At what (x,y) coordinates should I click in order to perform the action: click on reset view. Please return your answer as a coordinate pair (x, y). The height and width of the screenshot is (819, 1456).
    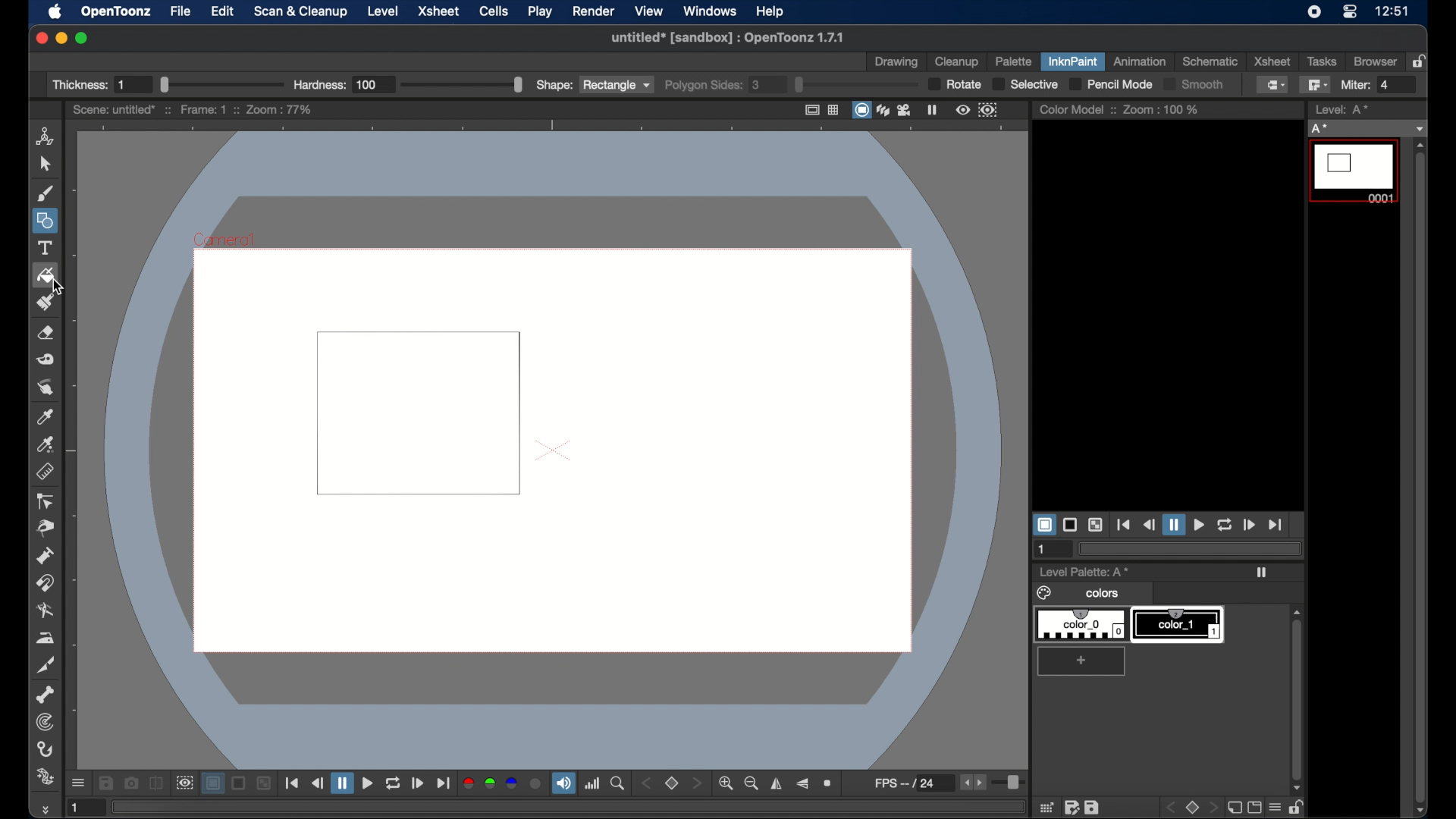
    Looking at the image, I should click on (829, 783).